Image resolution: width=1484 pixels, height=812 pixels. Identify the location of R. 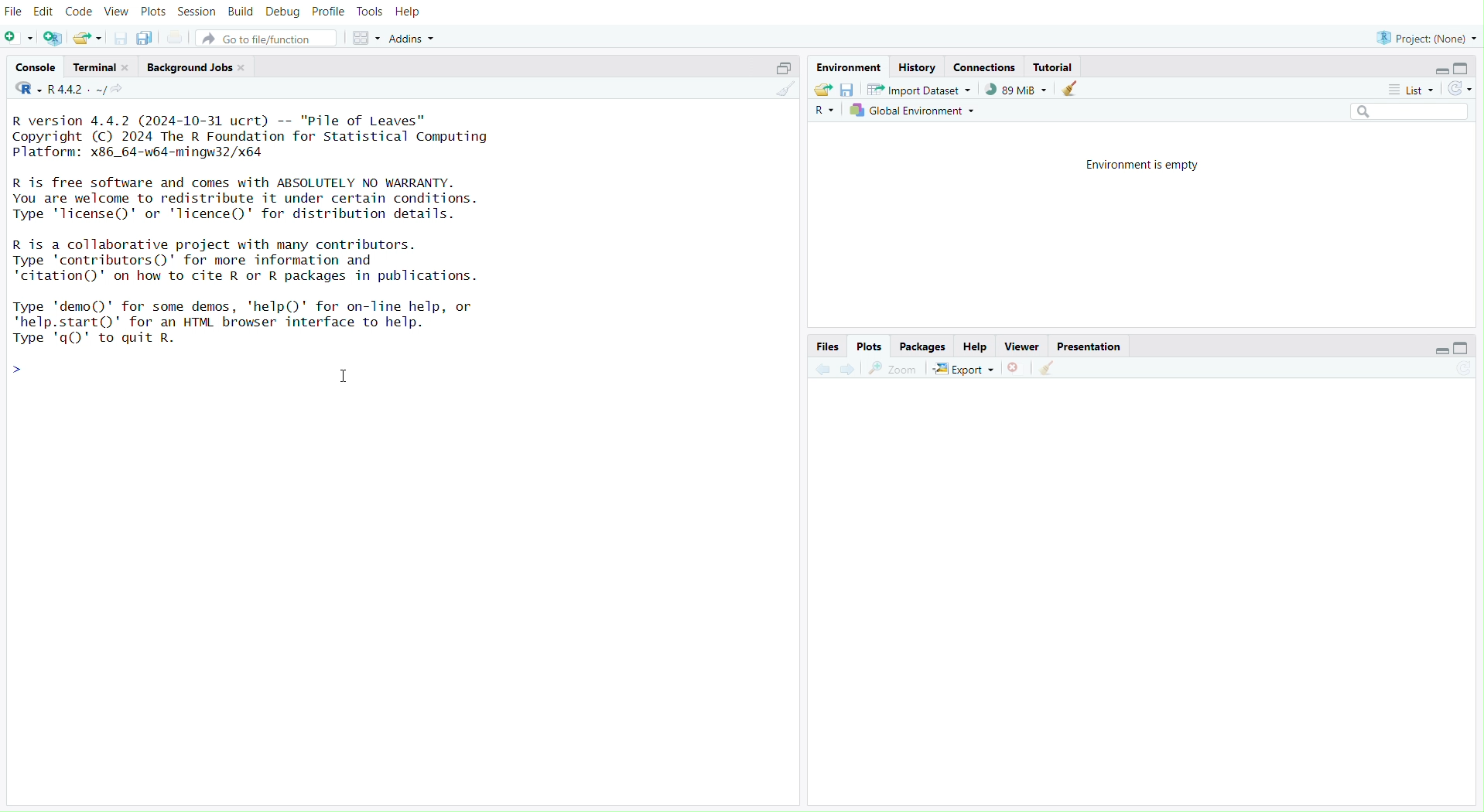
(22, 90).